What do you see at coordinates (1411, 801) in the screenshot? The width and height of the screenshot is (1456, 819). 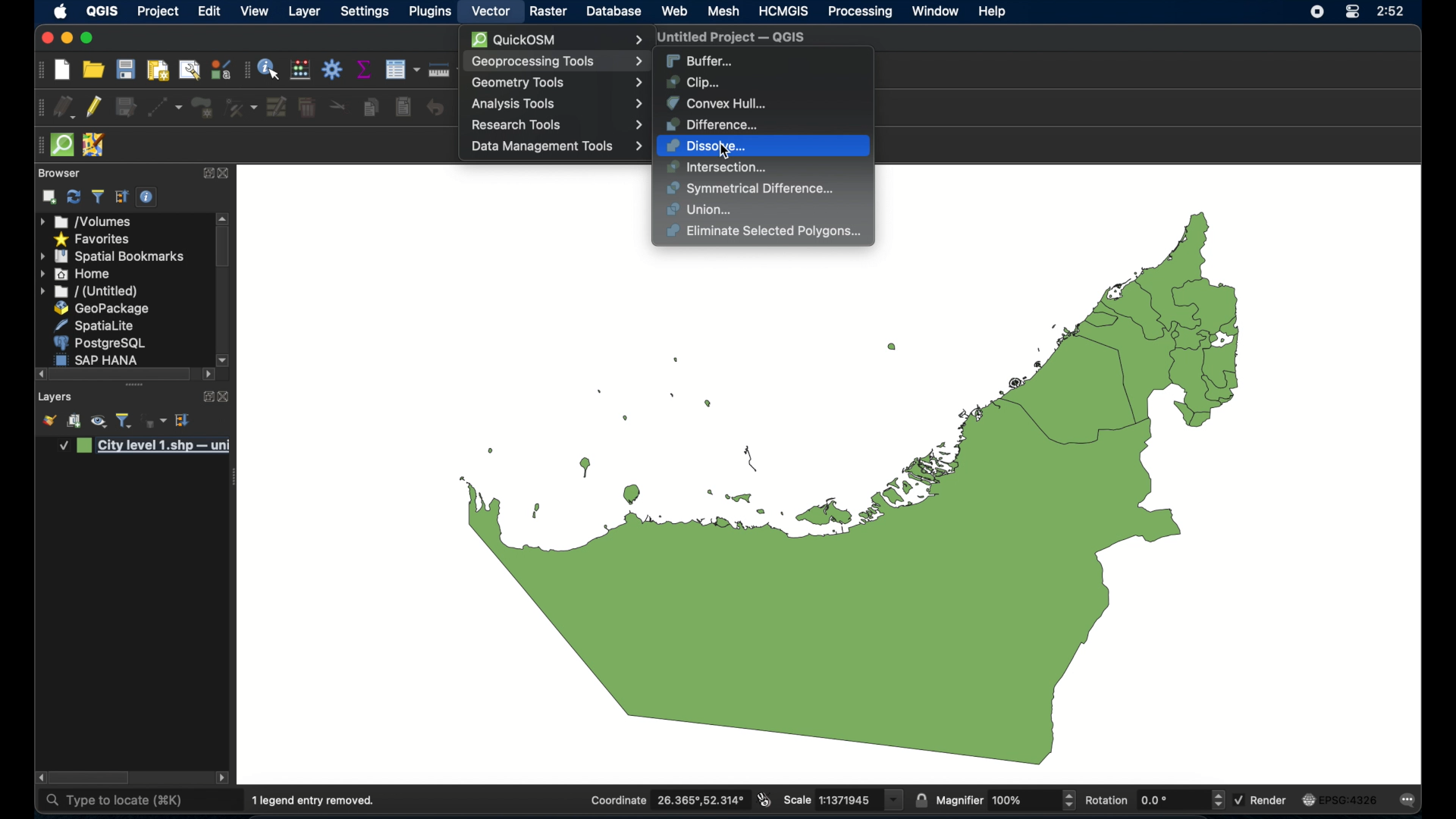 I see `messages` at bounding box center [1411, 801].